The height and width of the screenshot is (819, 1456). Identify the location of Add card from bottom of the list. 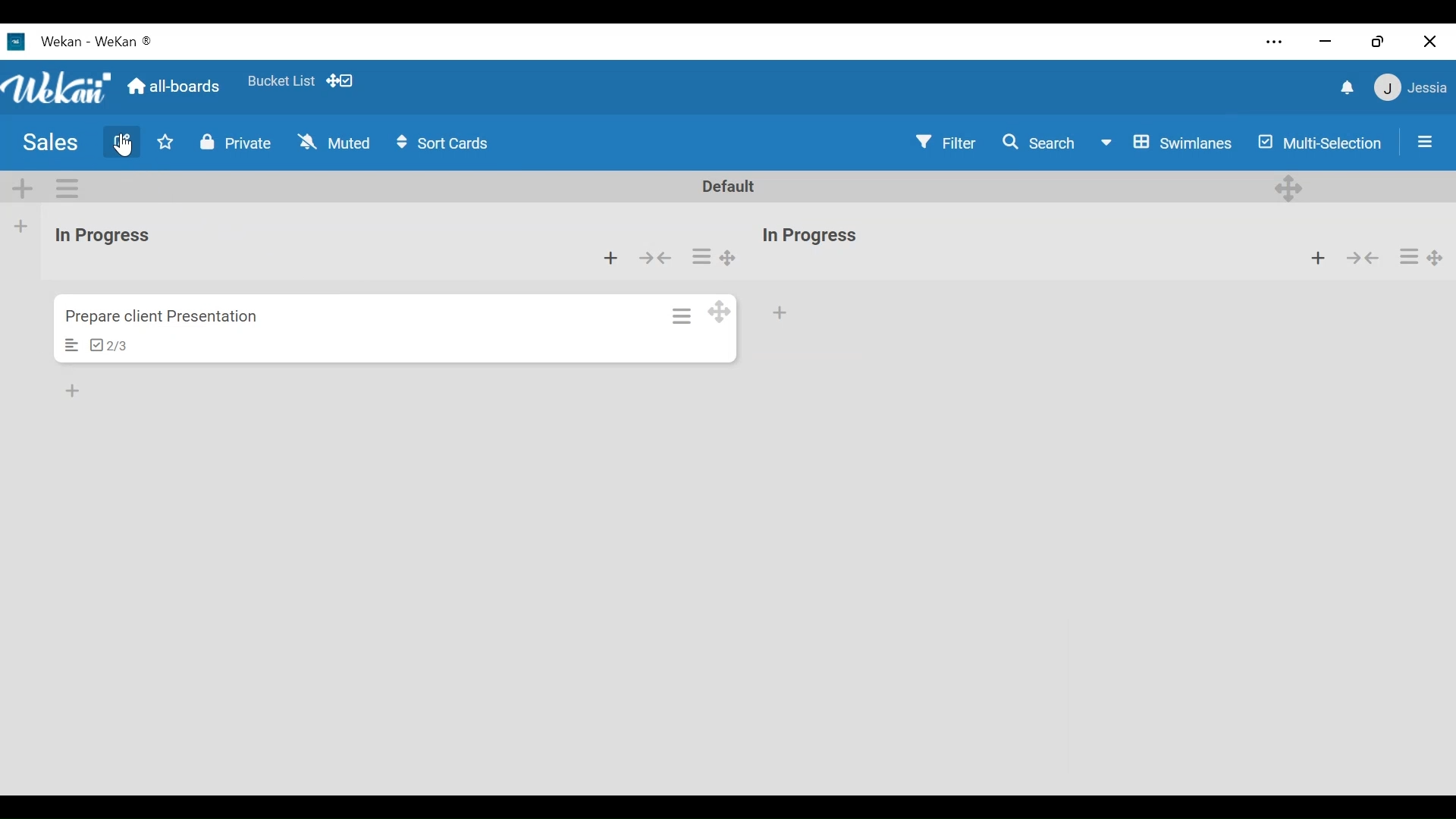
(610, 259).